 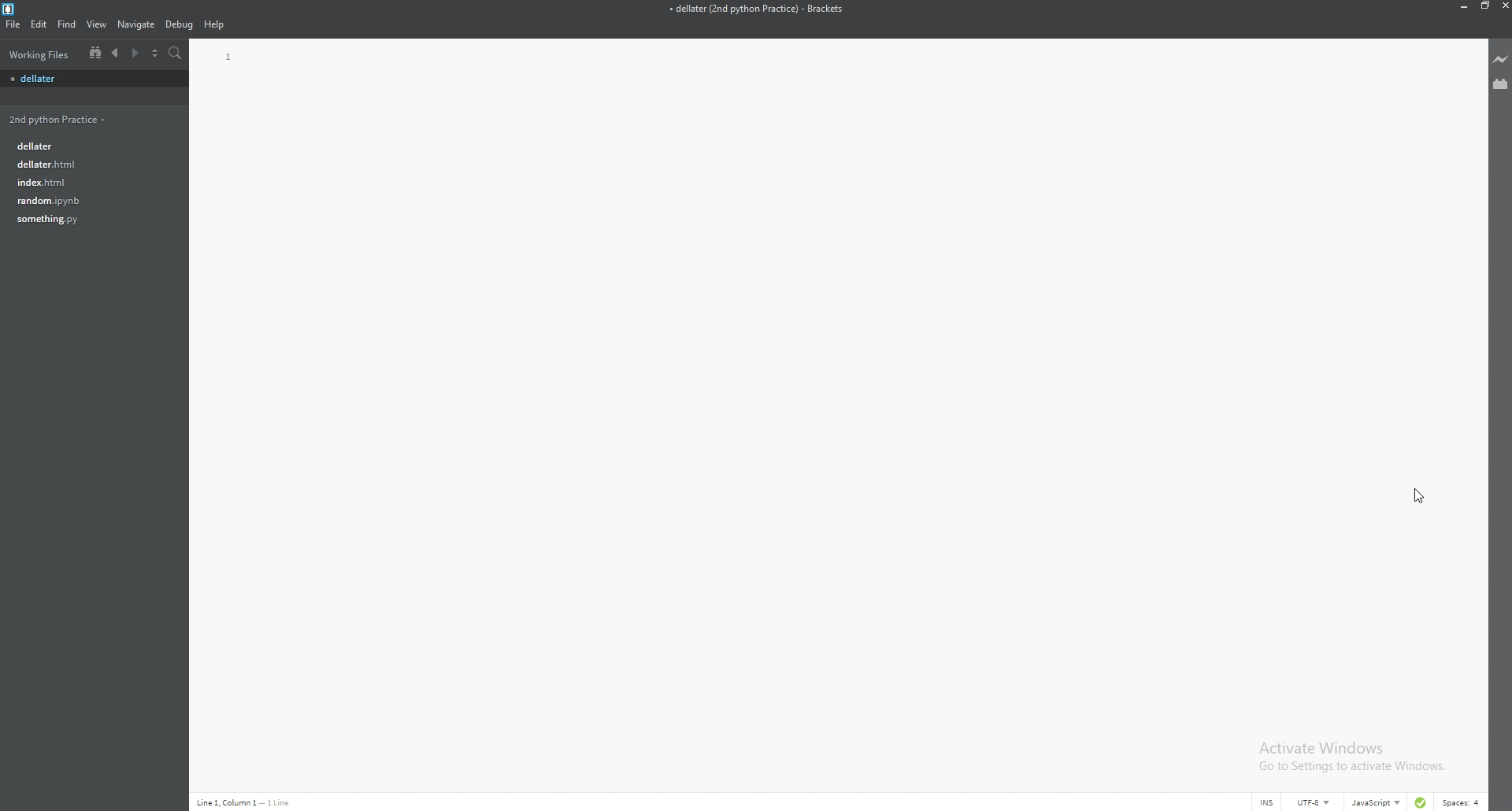 What do you see at coordinates (95, 54) in the screenshot?
I see `tree view` at bounding box center [95, 54].